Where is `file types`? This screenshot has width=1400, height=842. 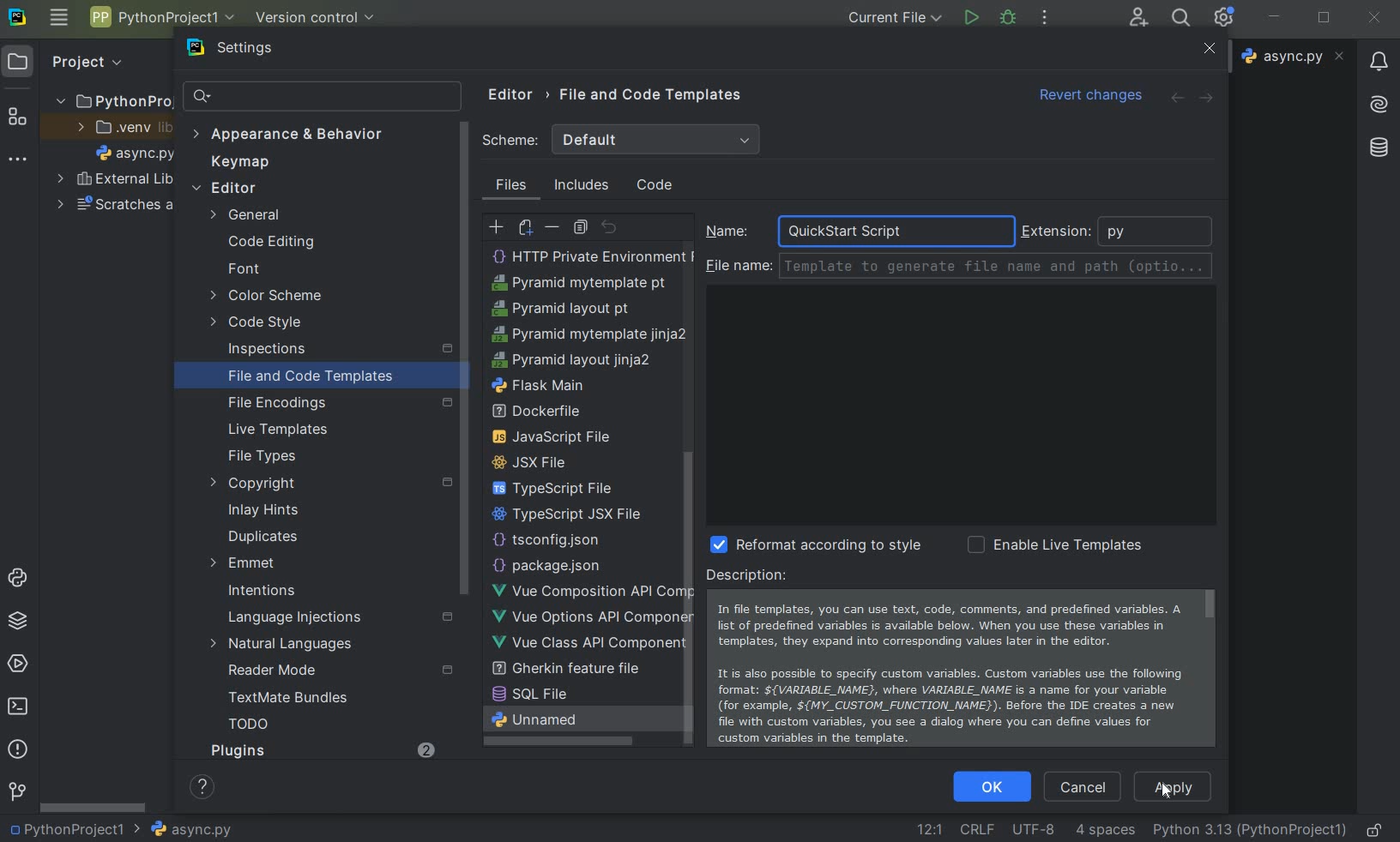 file types is located at coordinates (287, 456).